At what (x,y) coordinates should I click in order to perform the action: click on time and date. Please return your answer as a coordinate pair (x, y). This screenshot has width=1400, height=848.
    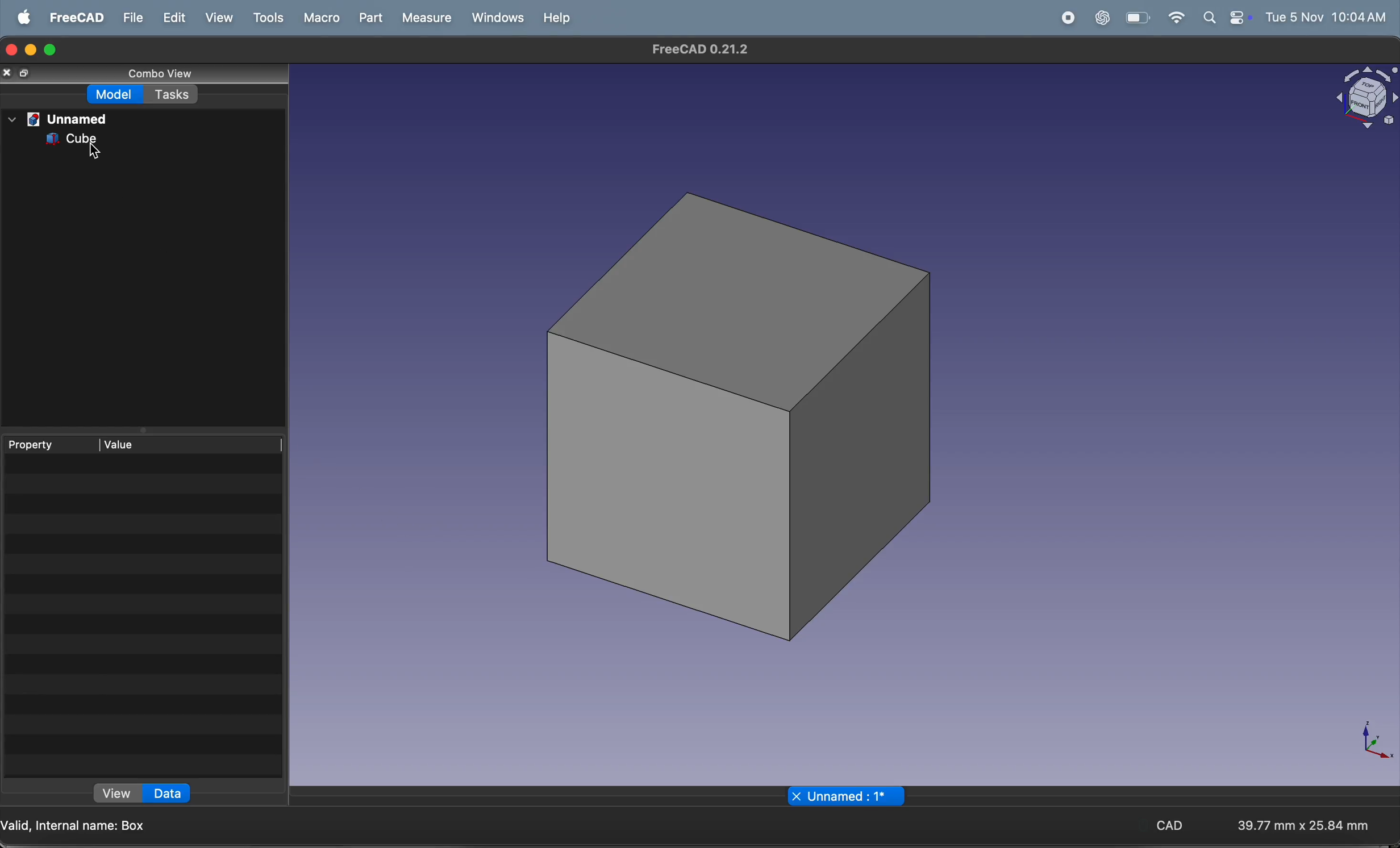
    Looking at the image, I should click on (1330, 16).